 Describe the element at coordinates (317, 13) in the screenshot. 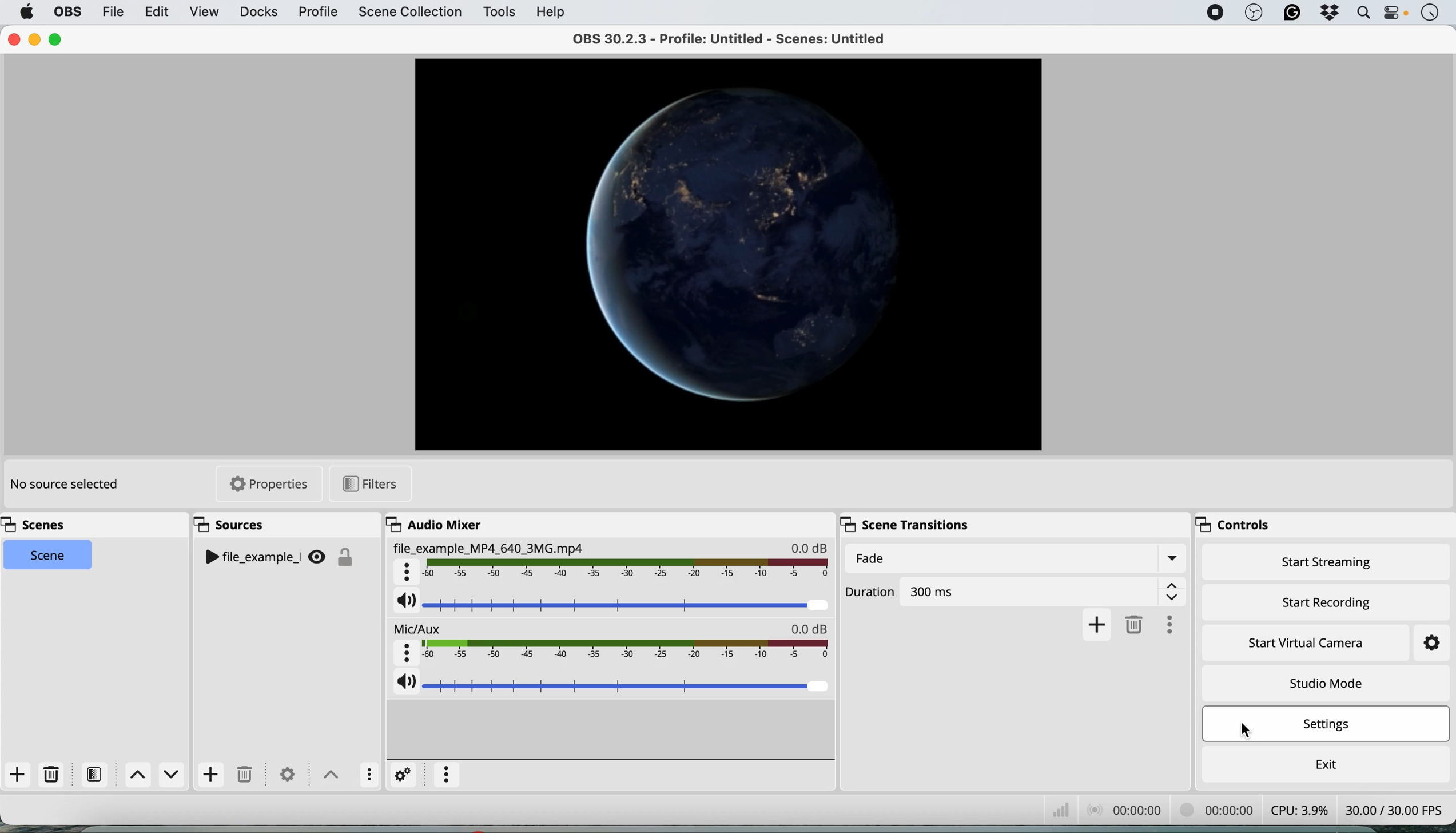

I see `profile` at that location.